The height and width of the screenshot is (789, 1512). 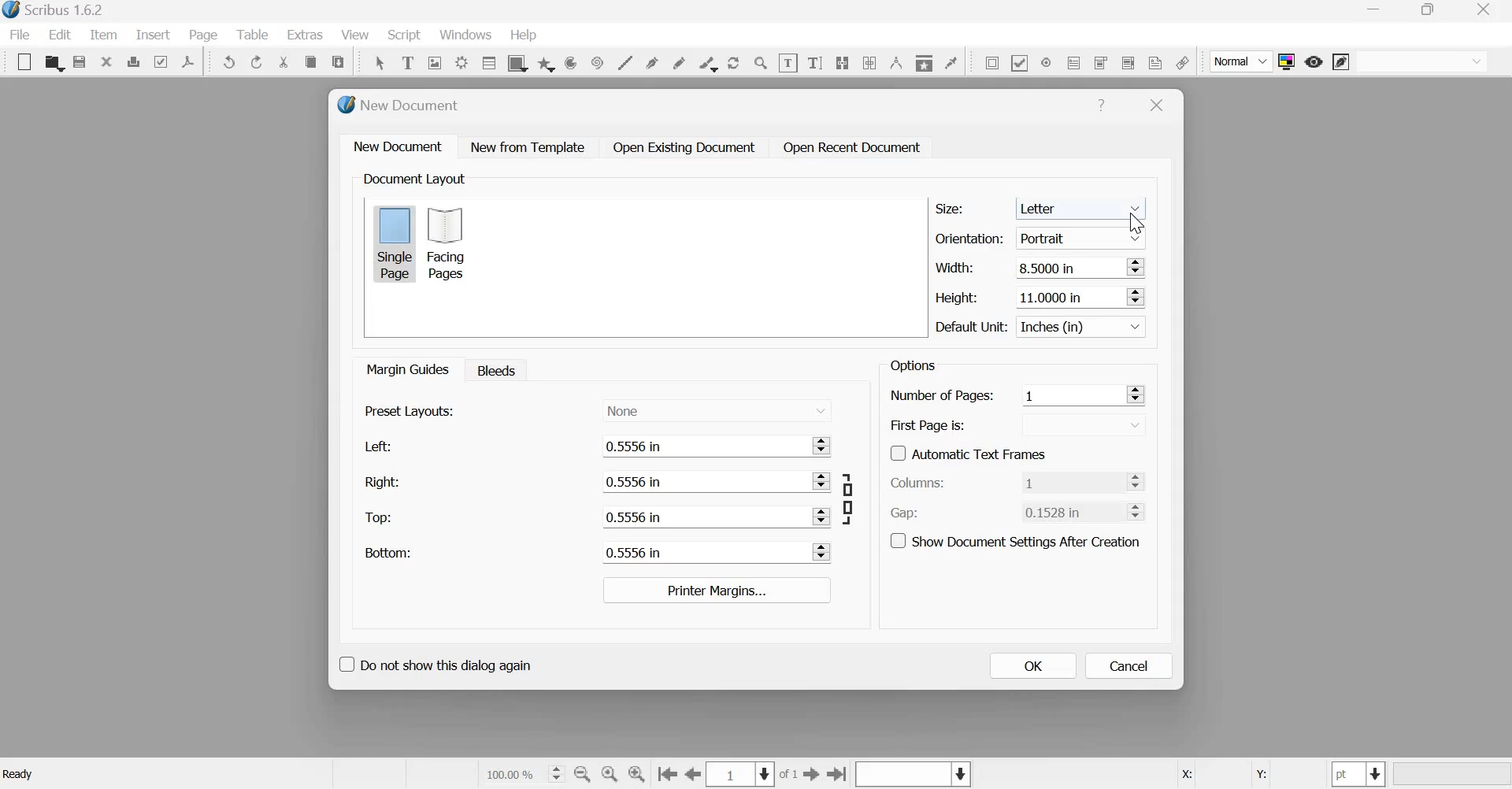 What do you see at coordinates (702, 551) in the screenshot?
I see `0.5556 in` at bounding box center [702, 551].